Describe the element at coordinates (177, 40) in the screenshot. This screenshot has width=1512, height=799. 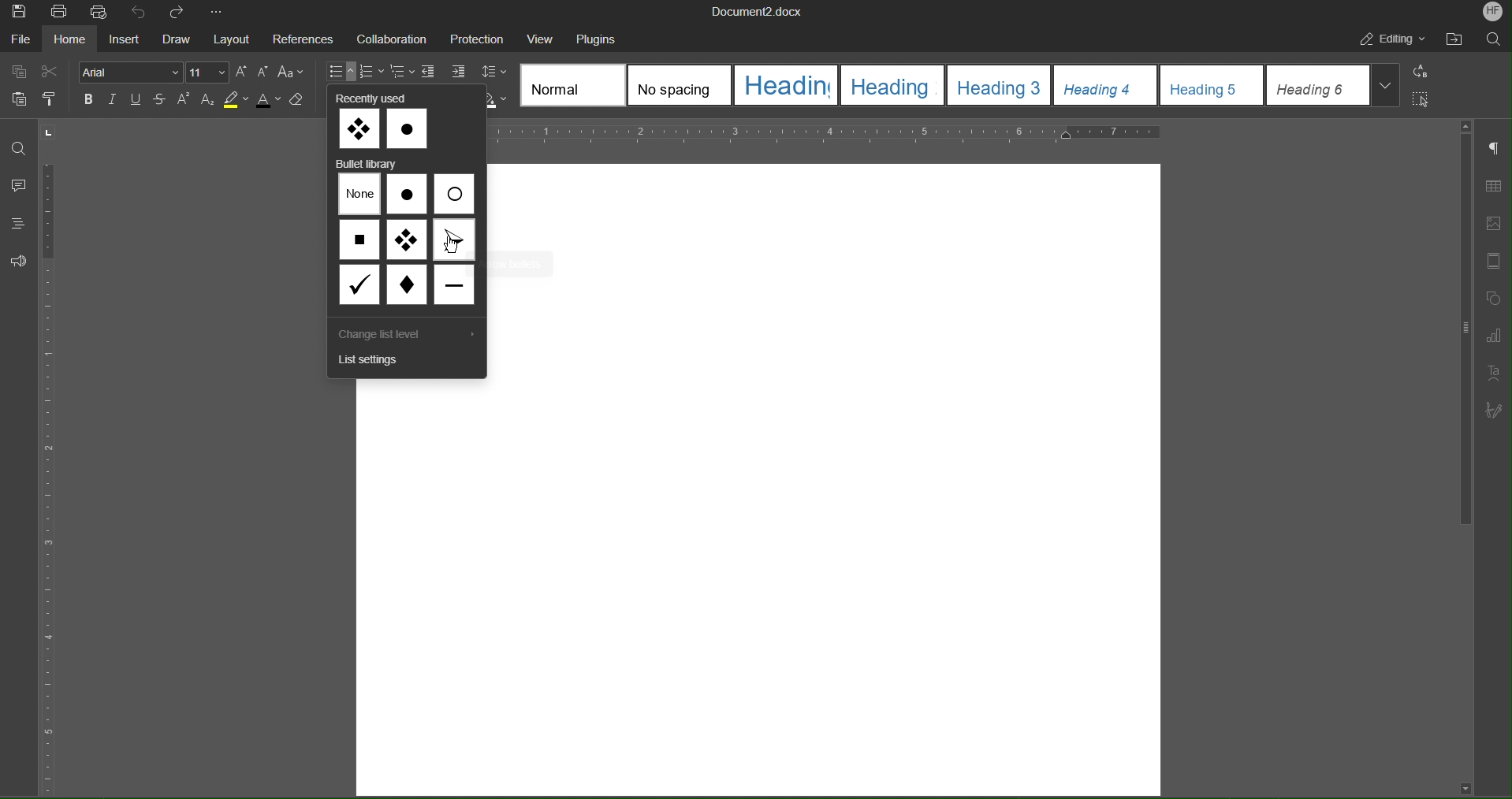
I see `Draw` at that location.